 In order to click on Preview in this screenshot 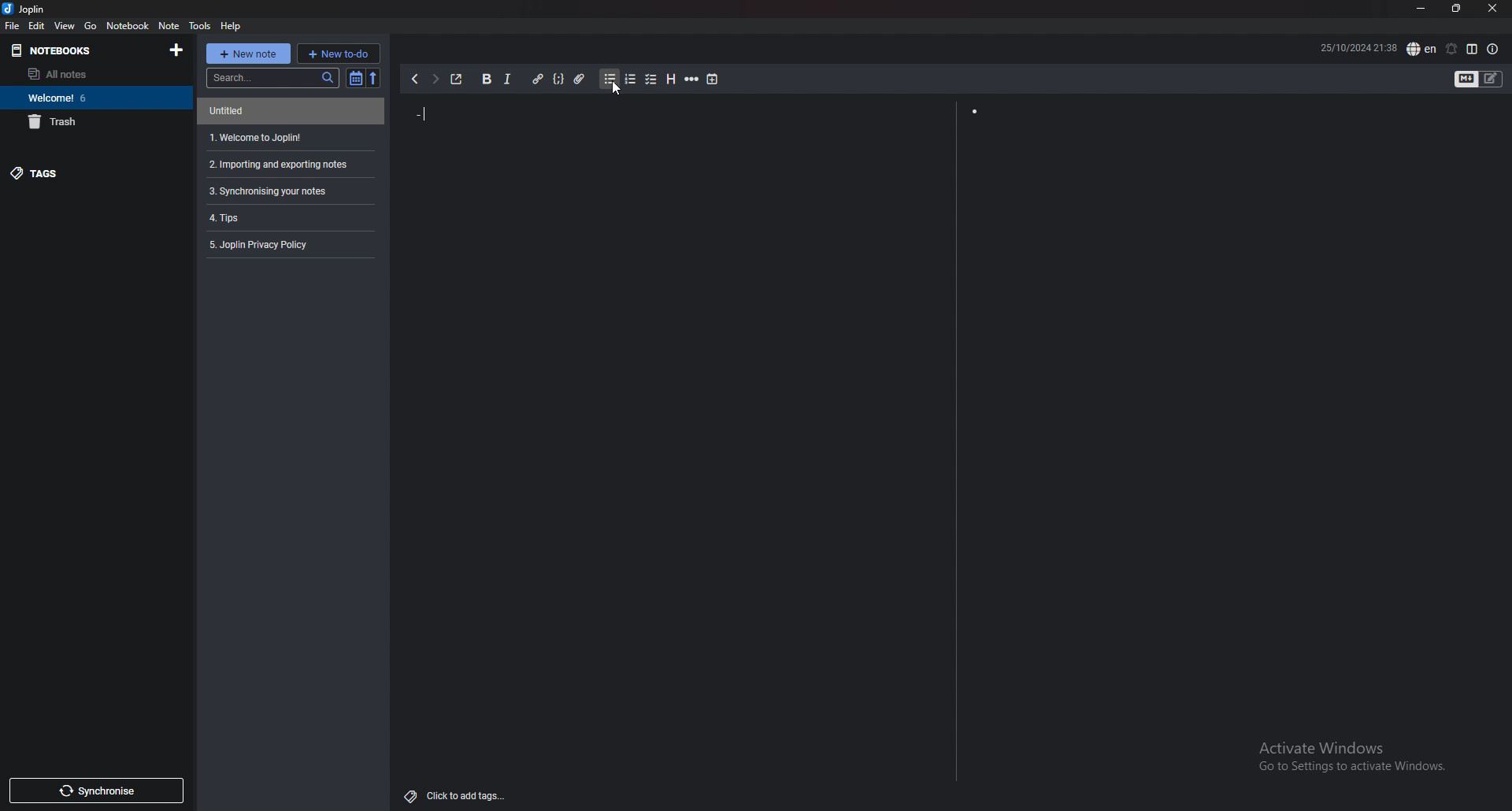, I will do `click(1228, 246)`.